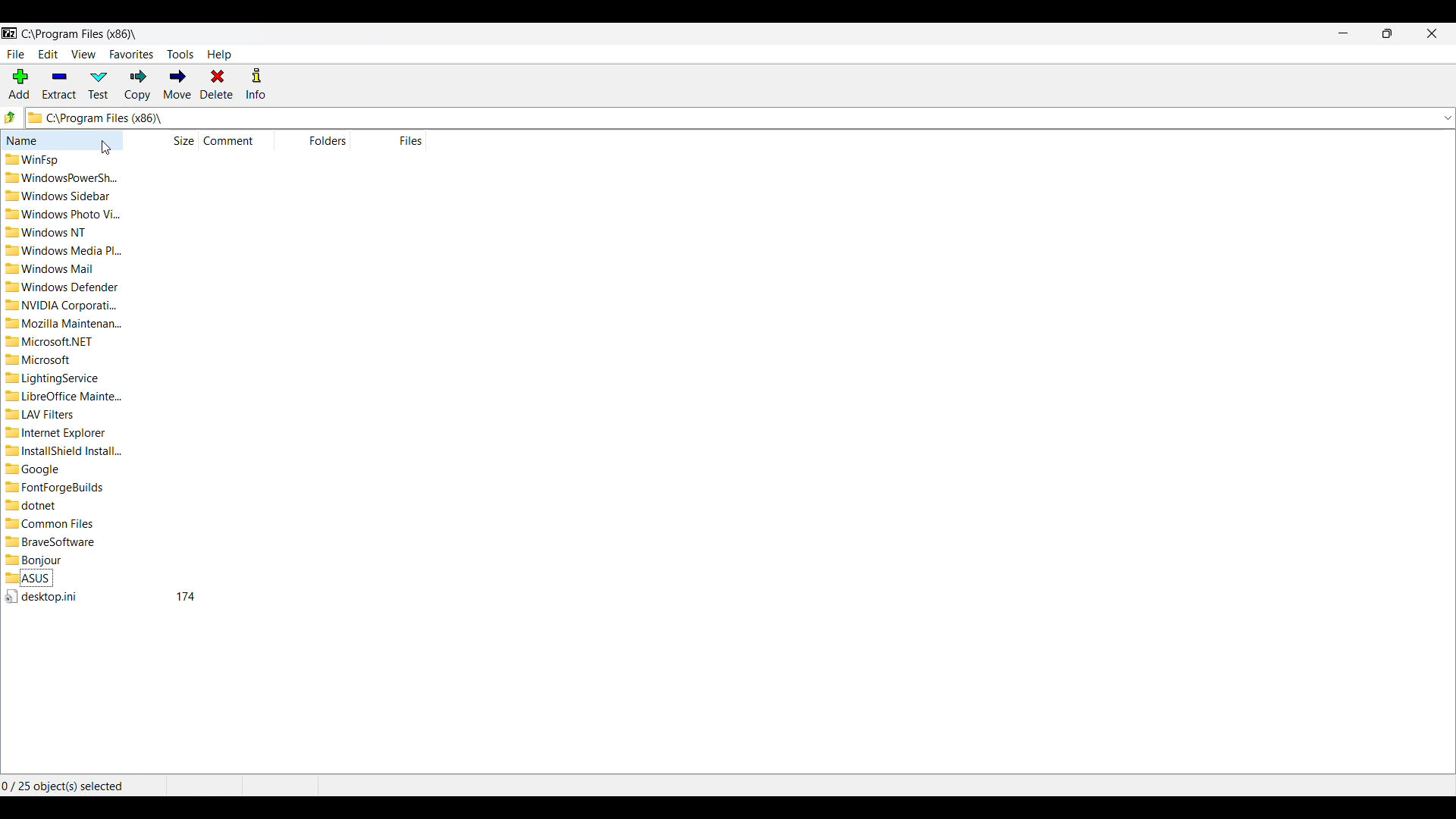 The height and width of the screenshot is (819, 1456). Describe the element at coordinates (106, 148) in the screenshot. I see `Cursor clicking on Name column` at that location.